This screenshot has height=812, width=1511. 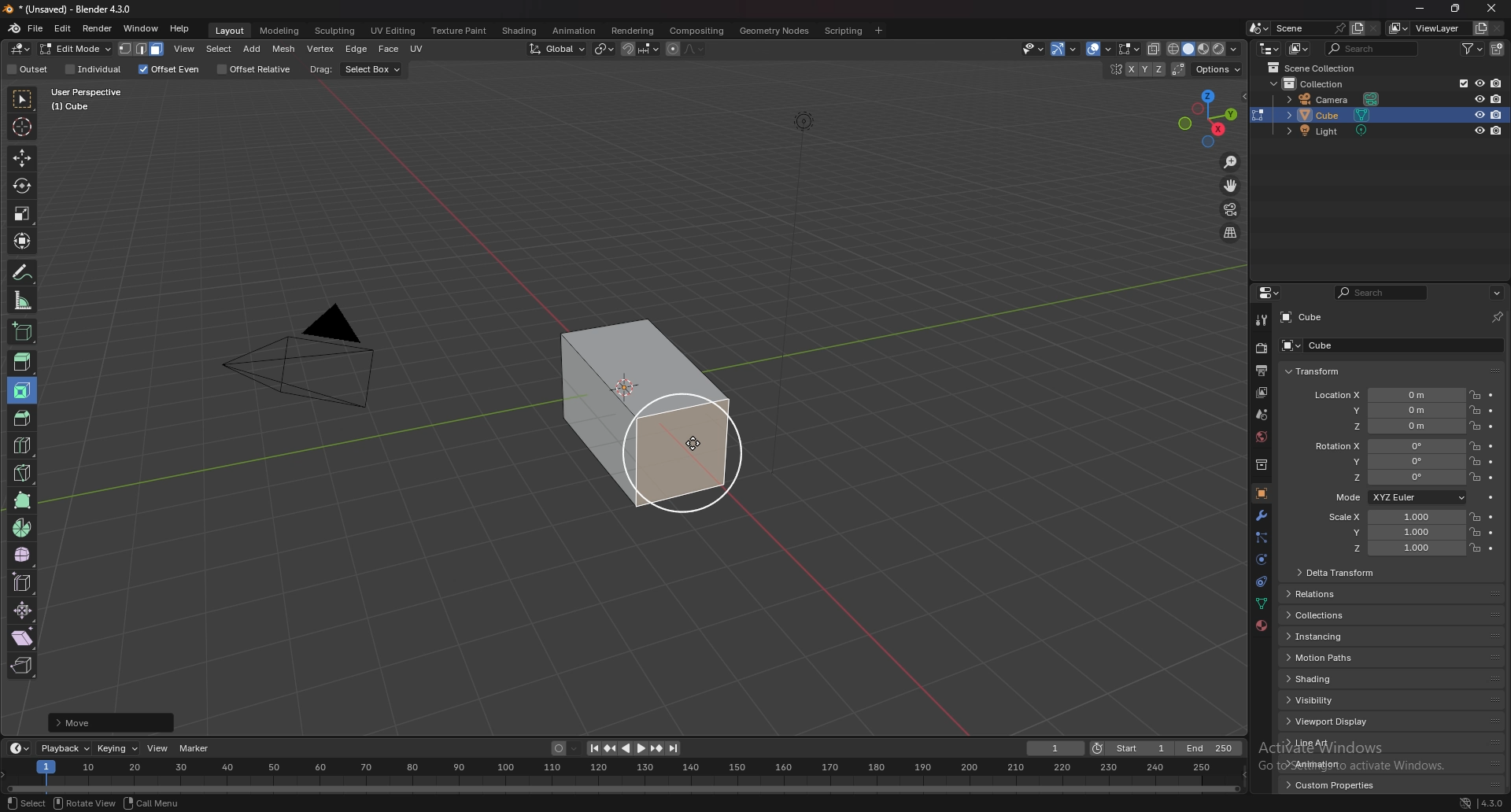 I want to click on edge slide, so click(x=24, y=582).